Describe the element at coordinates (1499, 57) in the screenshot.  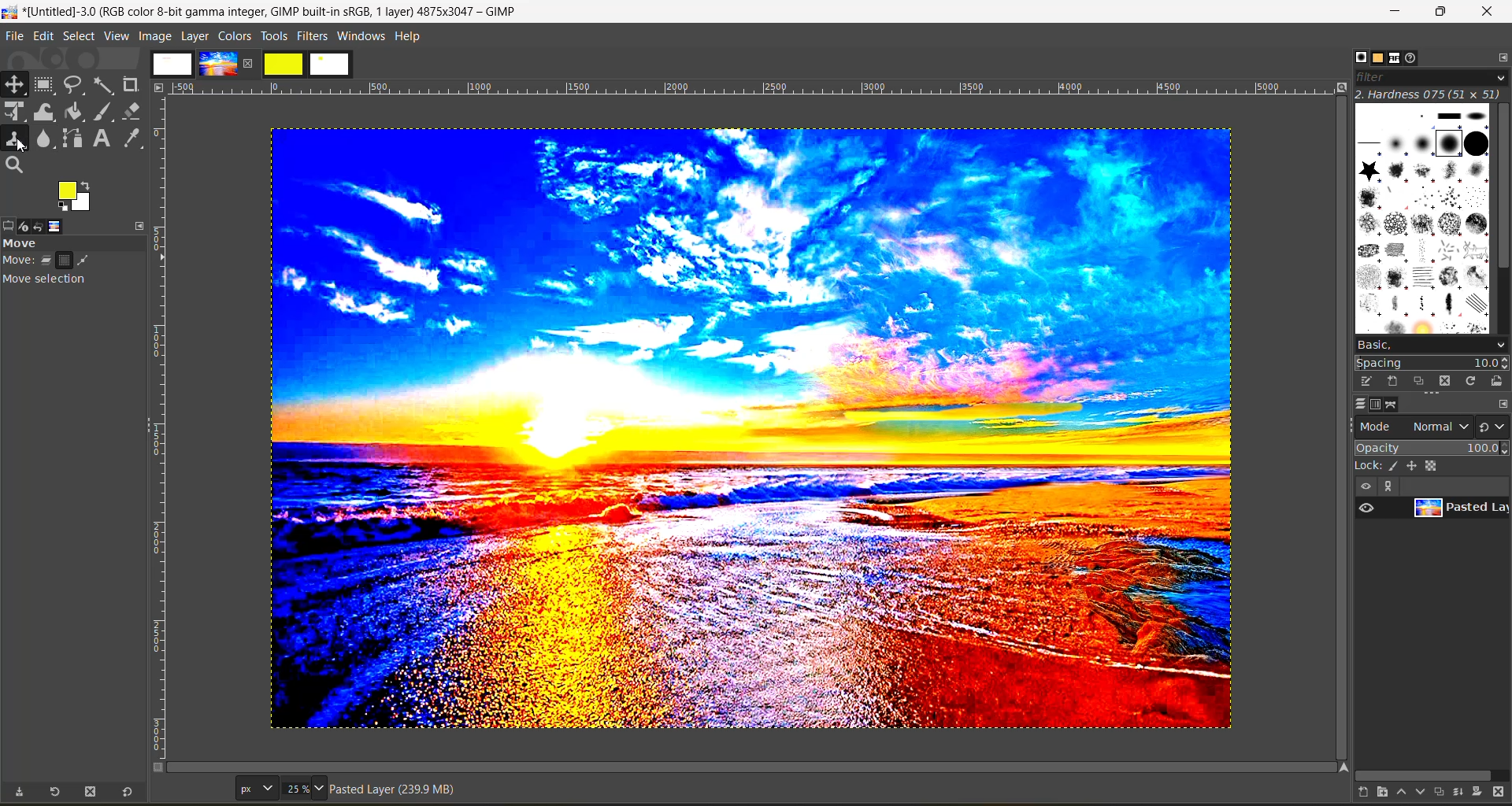
I see `configure` at that location.